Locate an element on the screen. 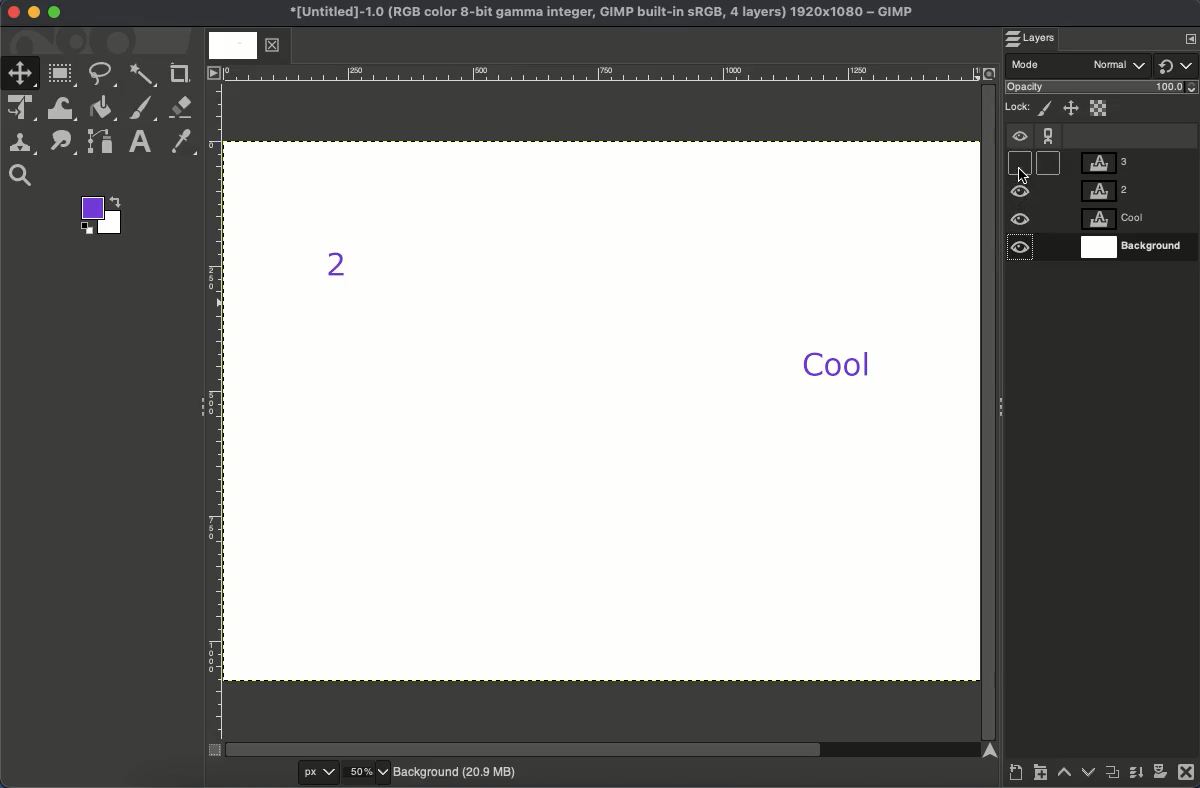 The image size is (1200, 788). Close is located at coordinates (1186, 775).